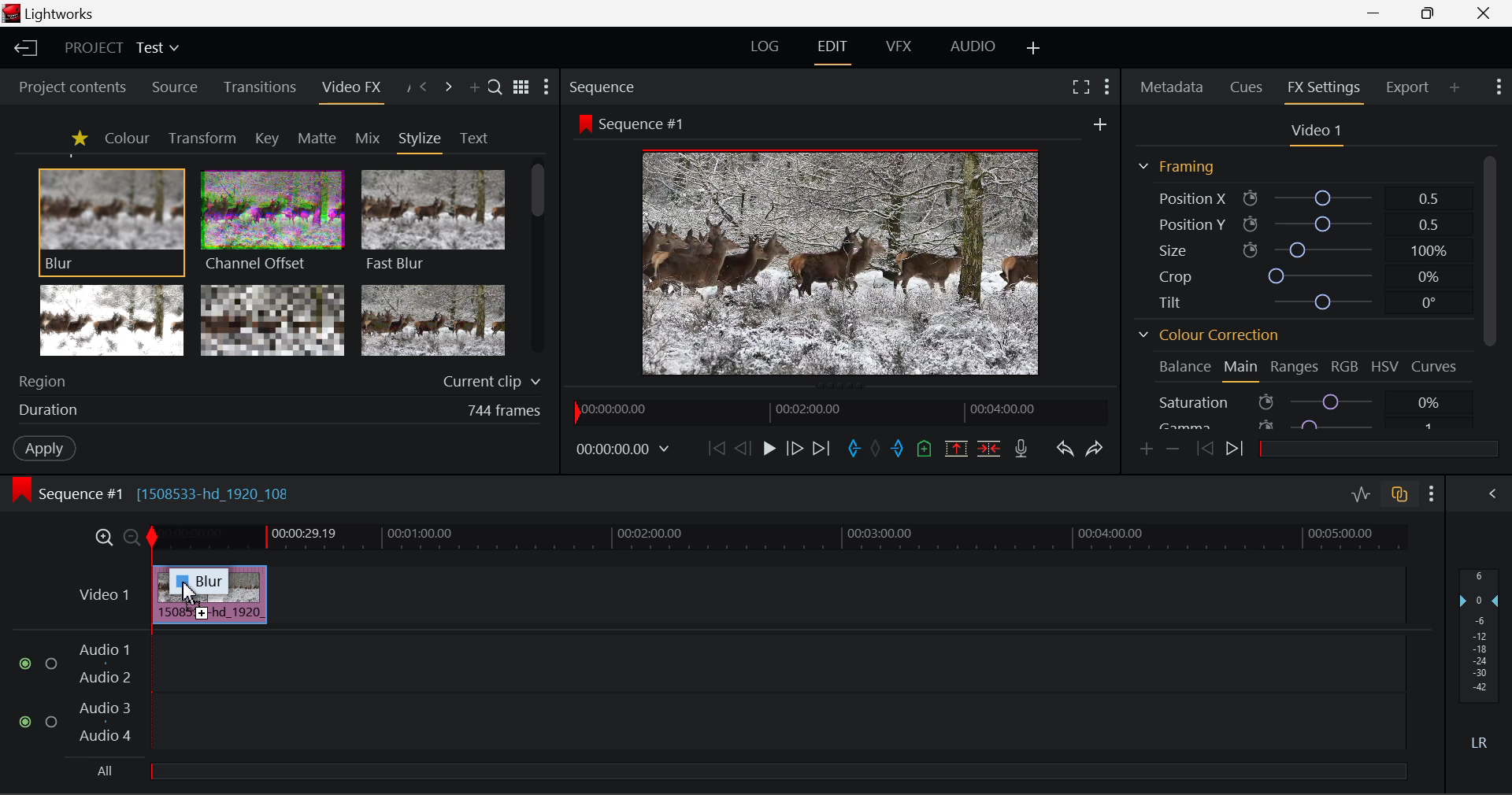  What do you see at coordinates (476, 137) in the screenshot?
I see `Text Panel Open` at bounding box center [476, 137].